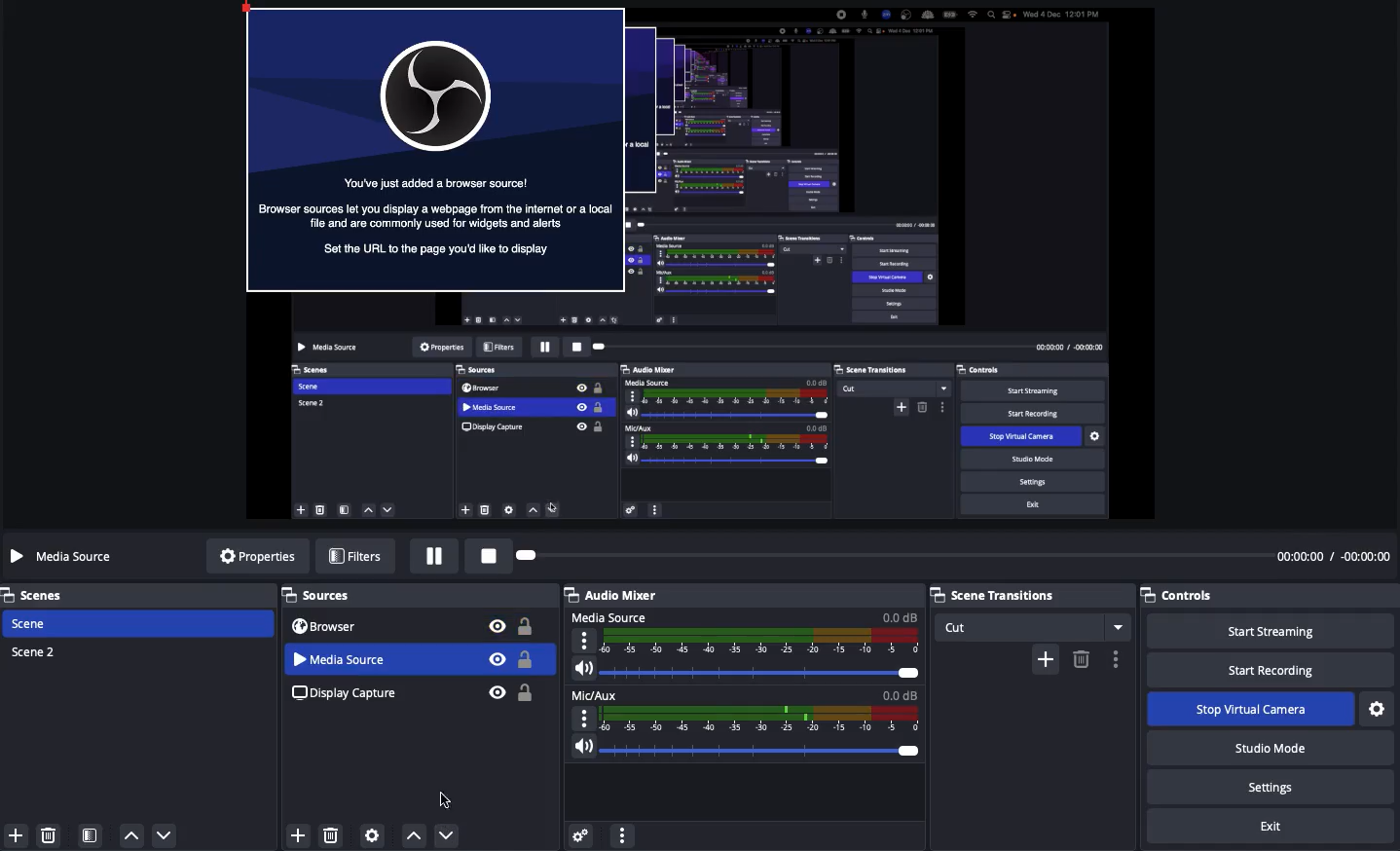 This screenshot has width=1400, height=851. What do you see at coordinates (1332, 556) in the screenshot?
I see `Time` at bounding box center [1332, 556].